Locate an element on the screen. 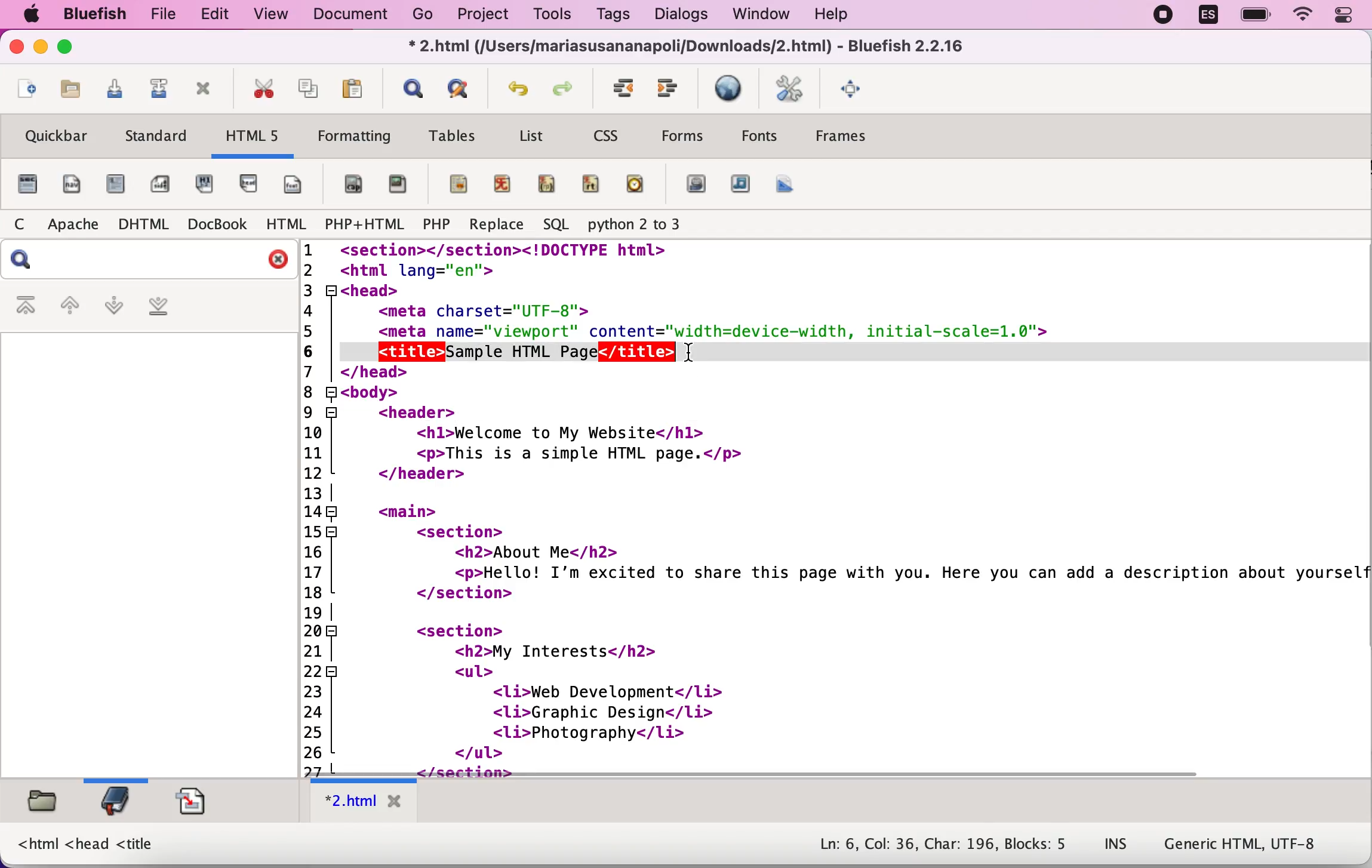 This screenshot has width=1372, height=868. help is located at coordinates (853, 13).